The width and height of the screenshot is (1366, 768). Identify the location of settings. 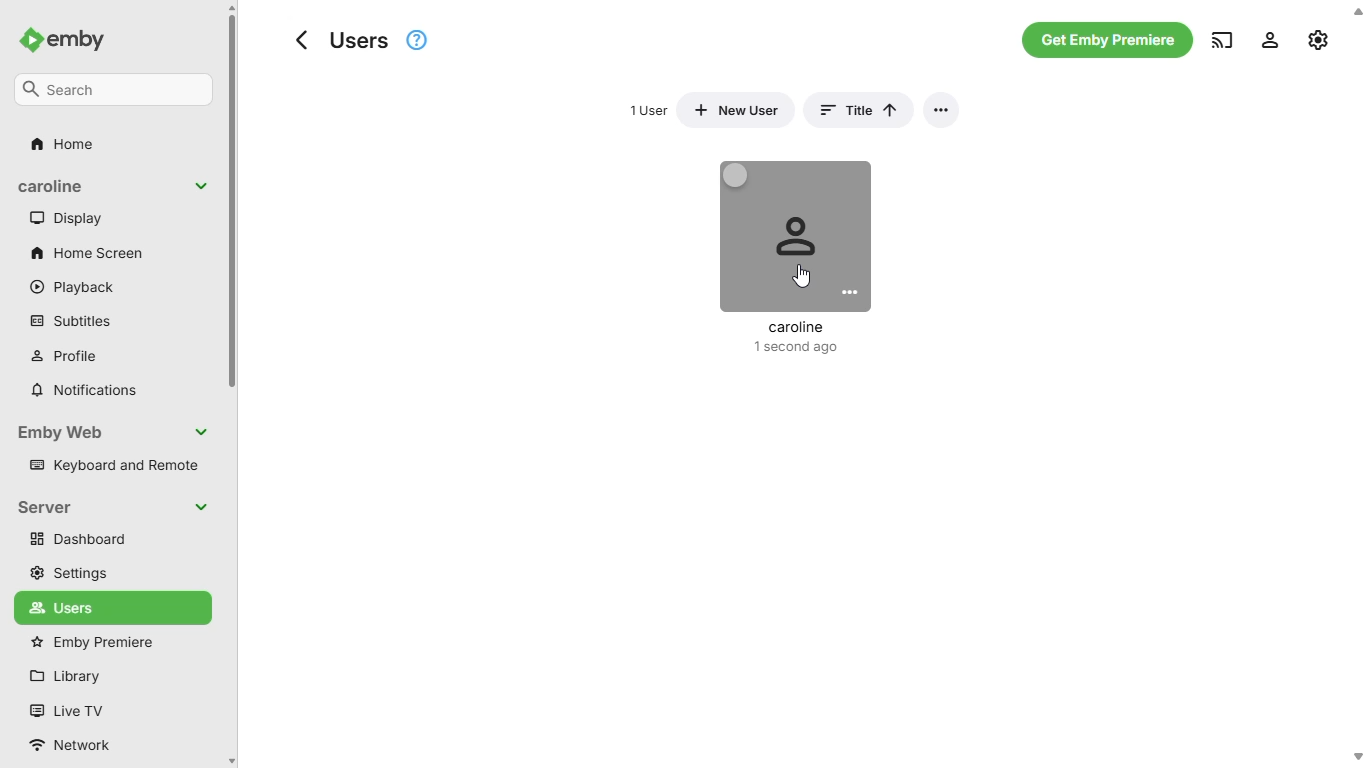
(68, 573).